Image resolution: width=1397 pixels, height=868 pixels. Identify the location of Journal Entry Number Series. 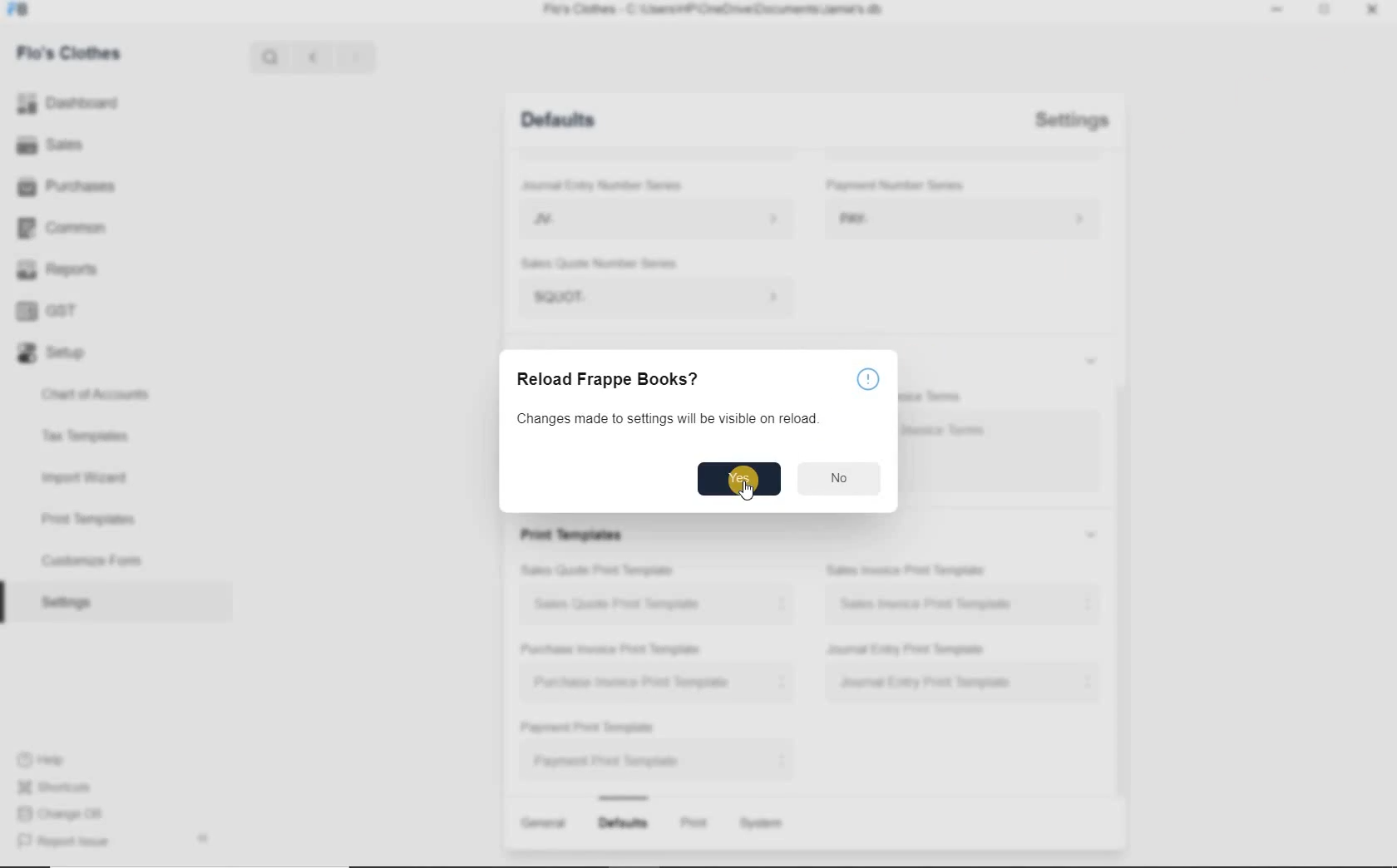
(600, 182).